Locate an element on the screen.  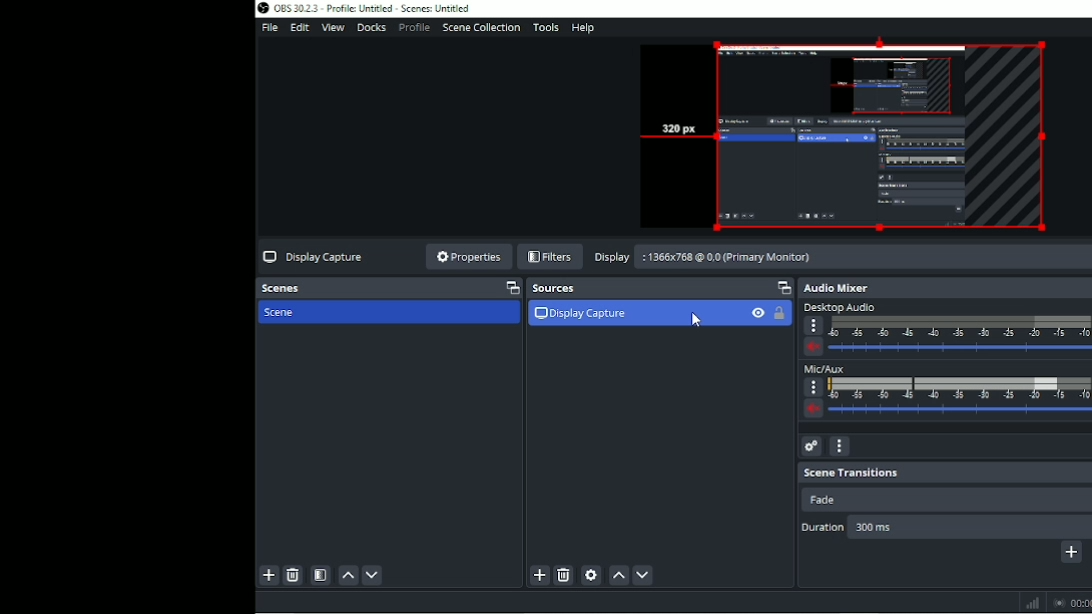
Tools is located at coordinates (545, 27).